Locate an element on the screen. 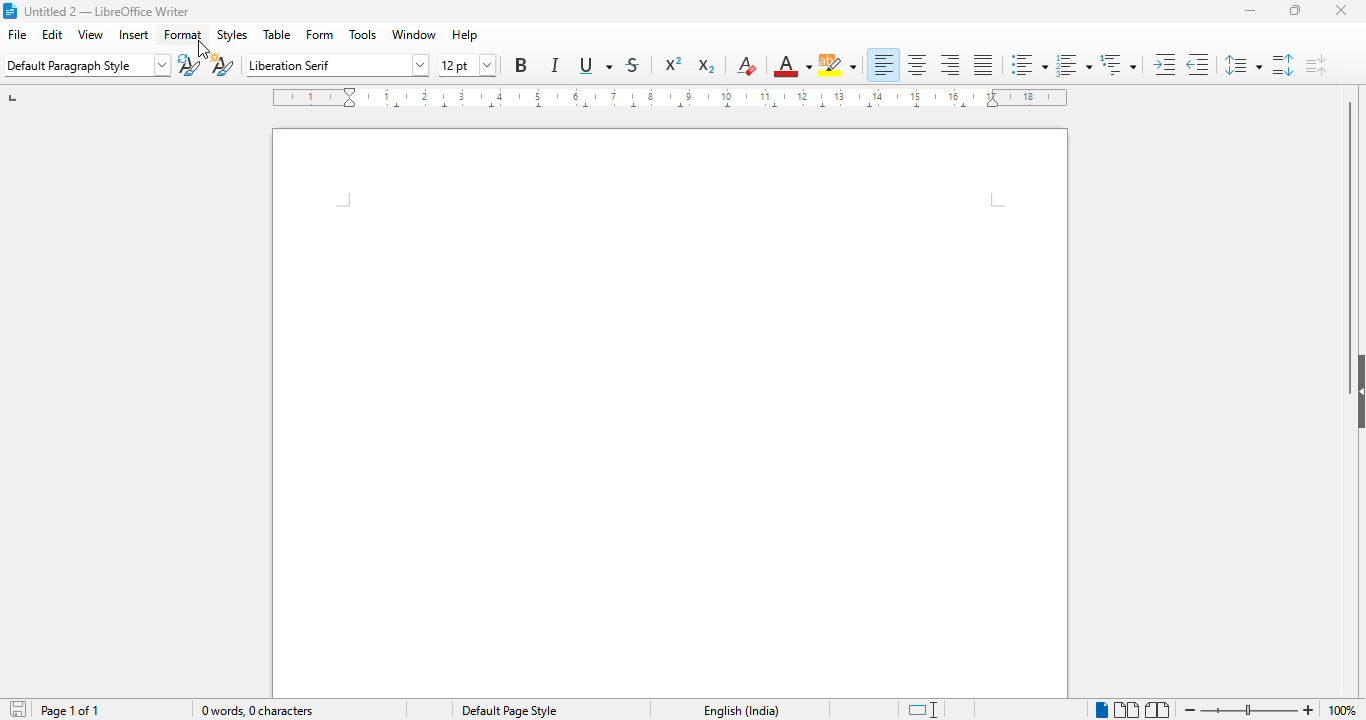 Image resolution: width=1366 pixels, height=720 pixels. maximize is located at coordinates (1295, 10).